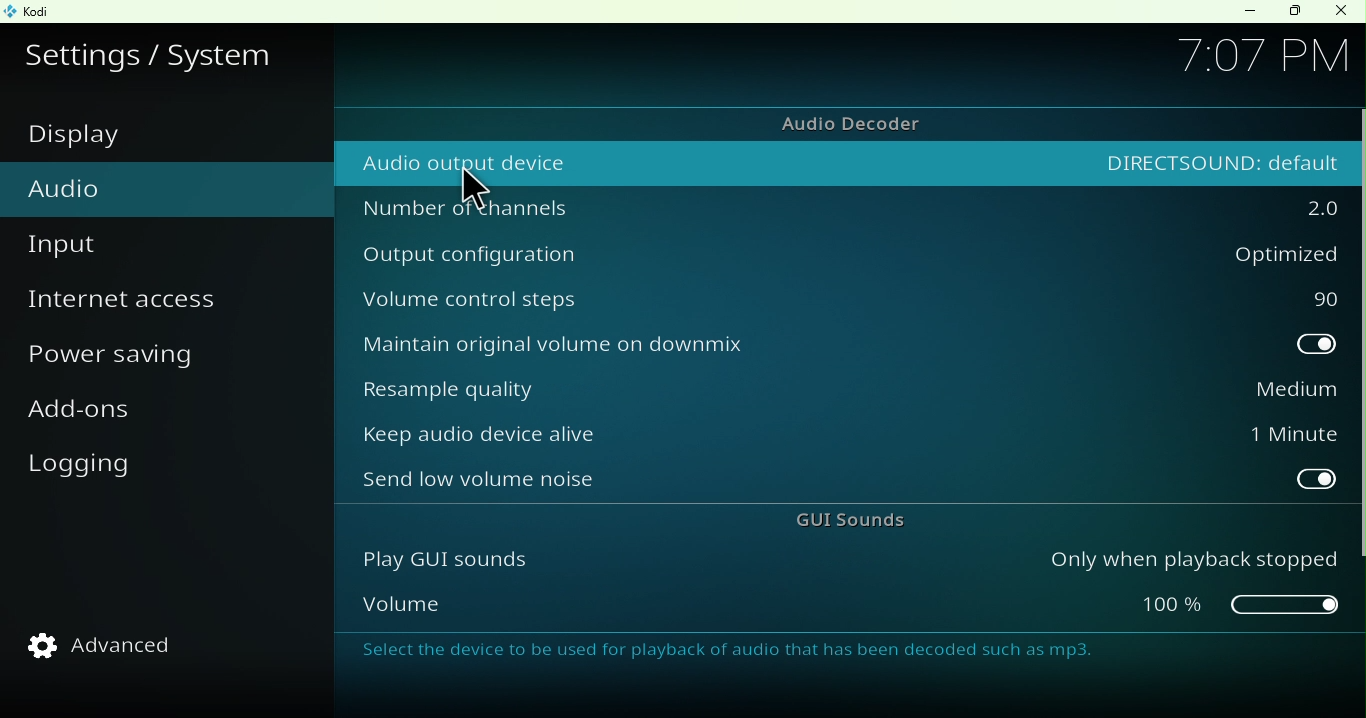 The image size is (1366, 718). What do you see at coordinates (153, 52) in the screenshot?
I see `Settings/system` at bounding box center [153, 52].